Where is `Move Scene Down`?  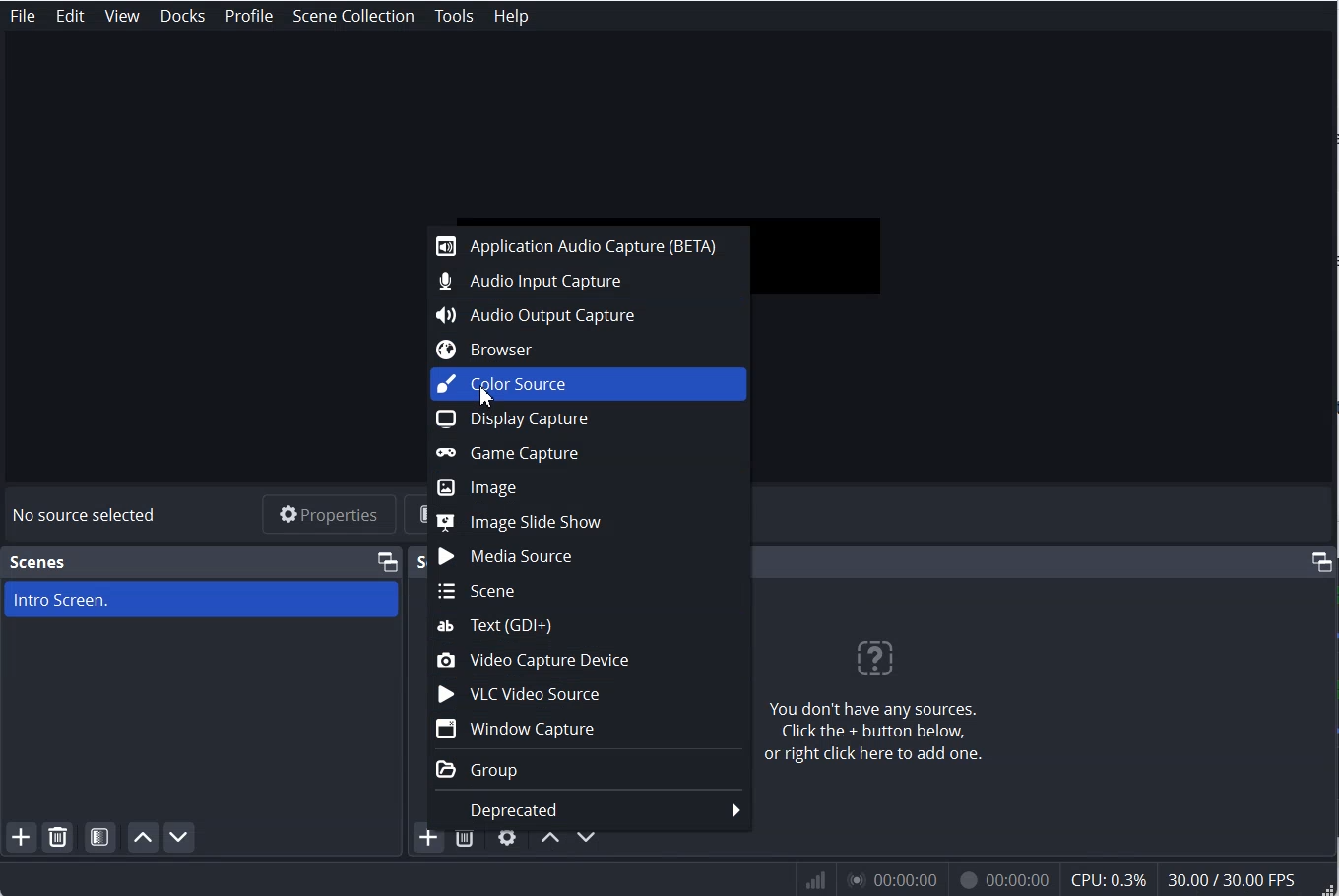
Move Scene Down is located at coordinates (181, 838).